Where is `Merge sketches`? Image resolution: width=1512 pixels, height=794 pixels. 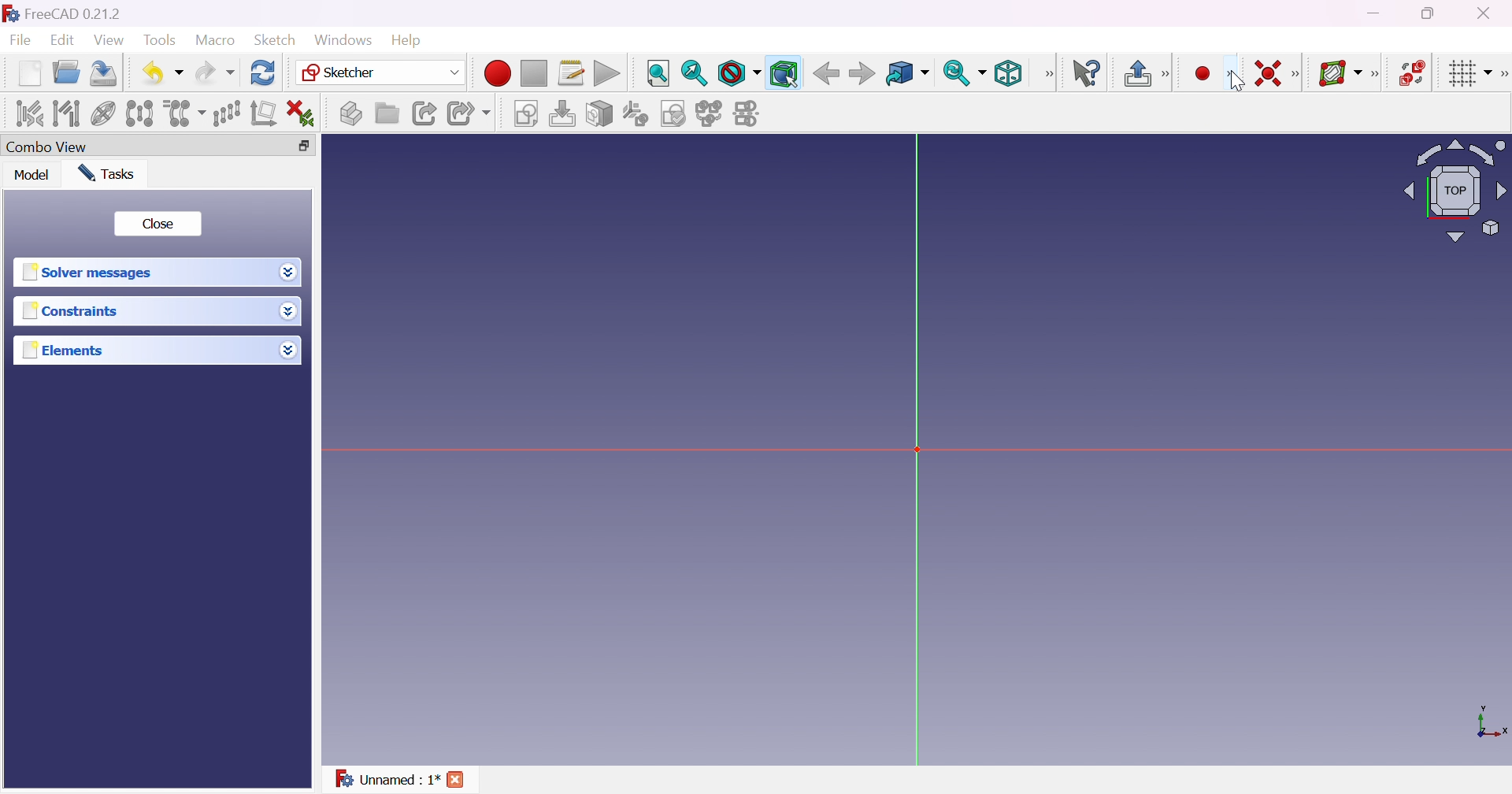
Merge sketches is located at coordinates (709, 114).